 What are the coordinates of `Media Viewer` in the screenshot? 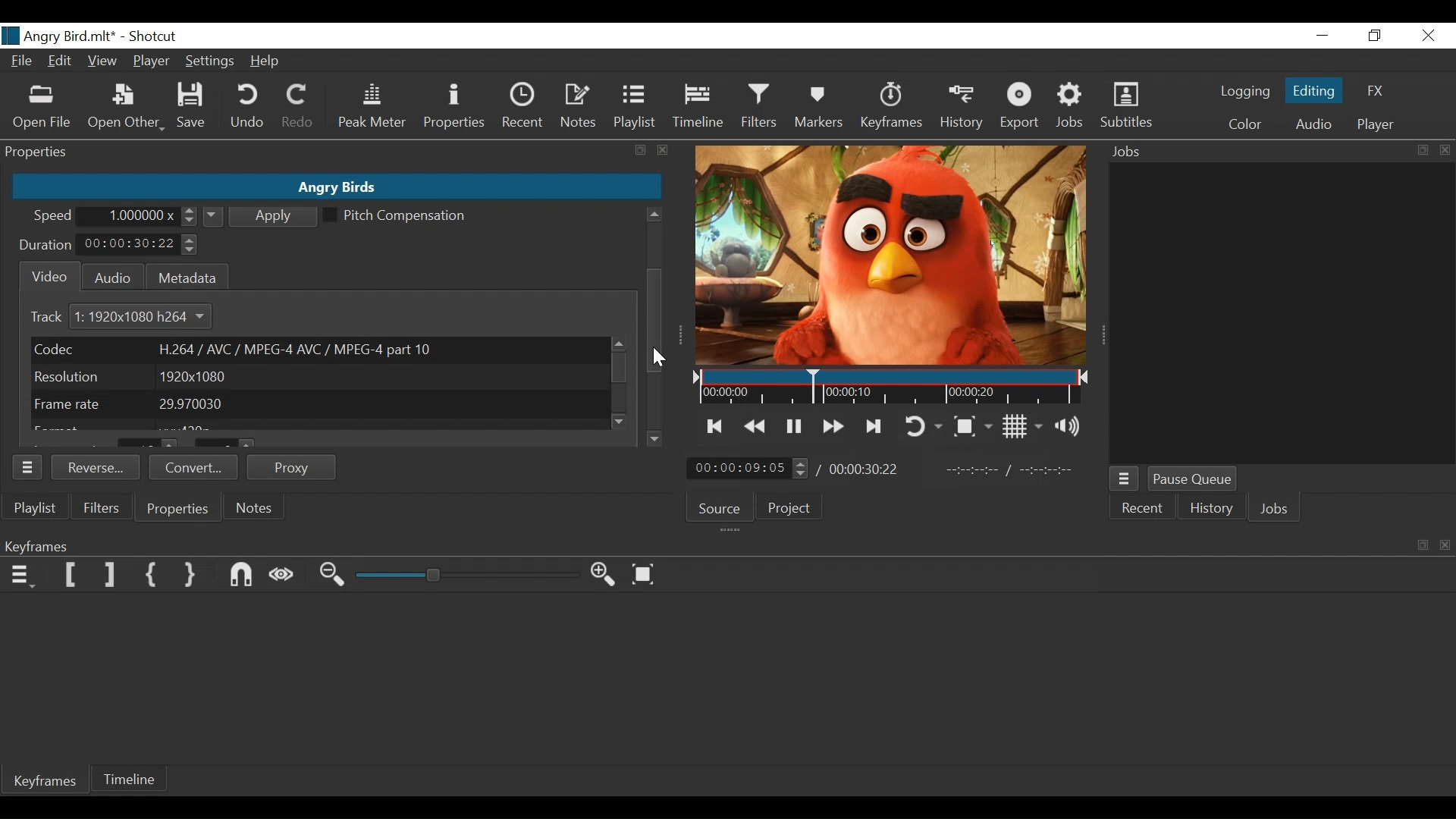 It's located at (893, 256).